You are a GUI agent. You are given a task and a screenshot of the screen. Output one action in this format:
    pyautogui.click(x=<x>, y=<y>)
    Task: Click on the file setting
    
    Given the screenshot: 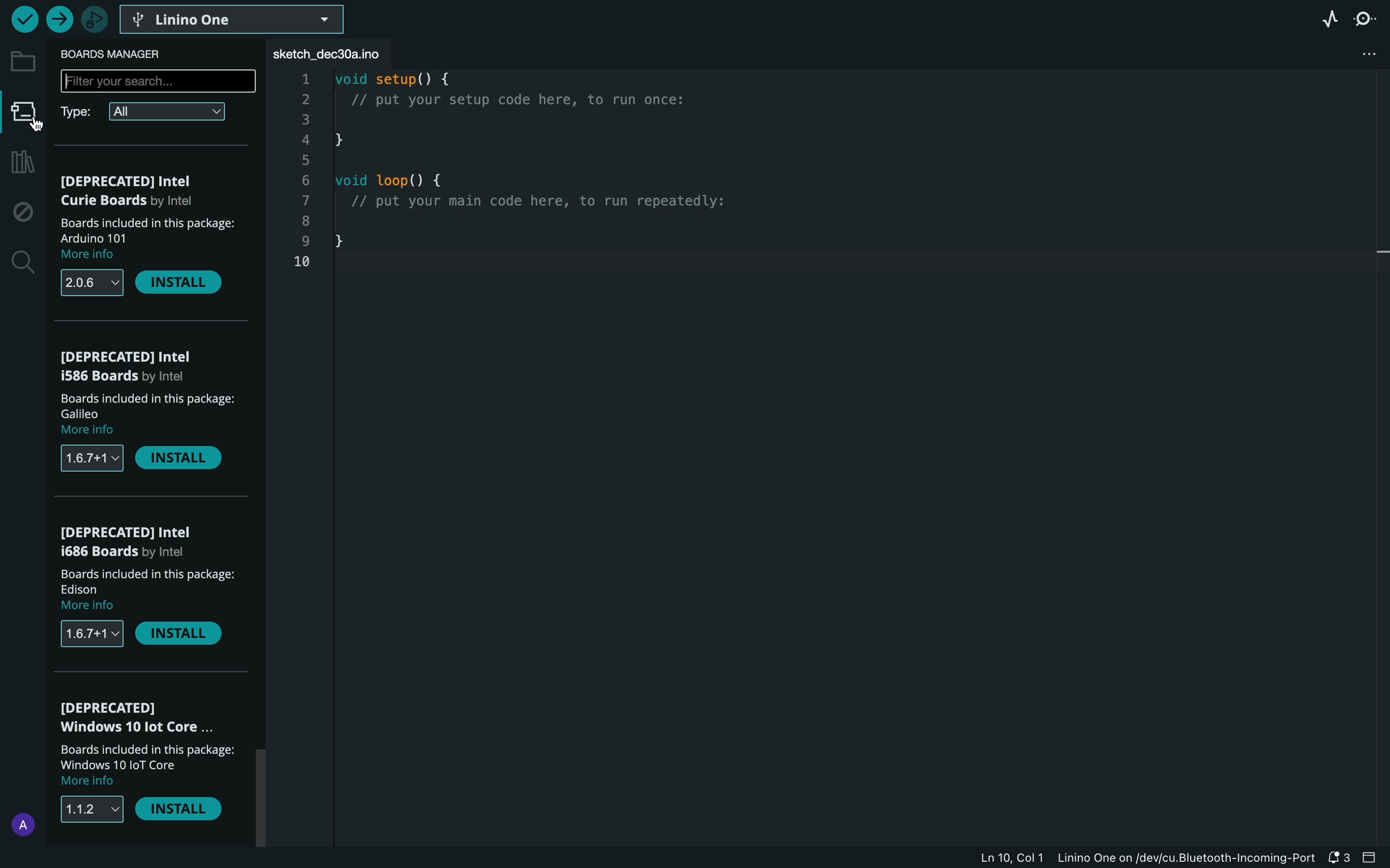 What is the action you would take?
    pyautogui.click(x=1353, y=55)
    